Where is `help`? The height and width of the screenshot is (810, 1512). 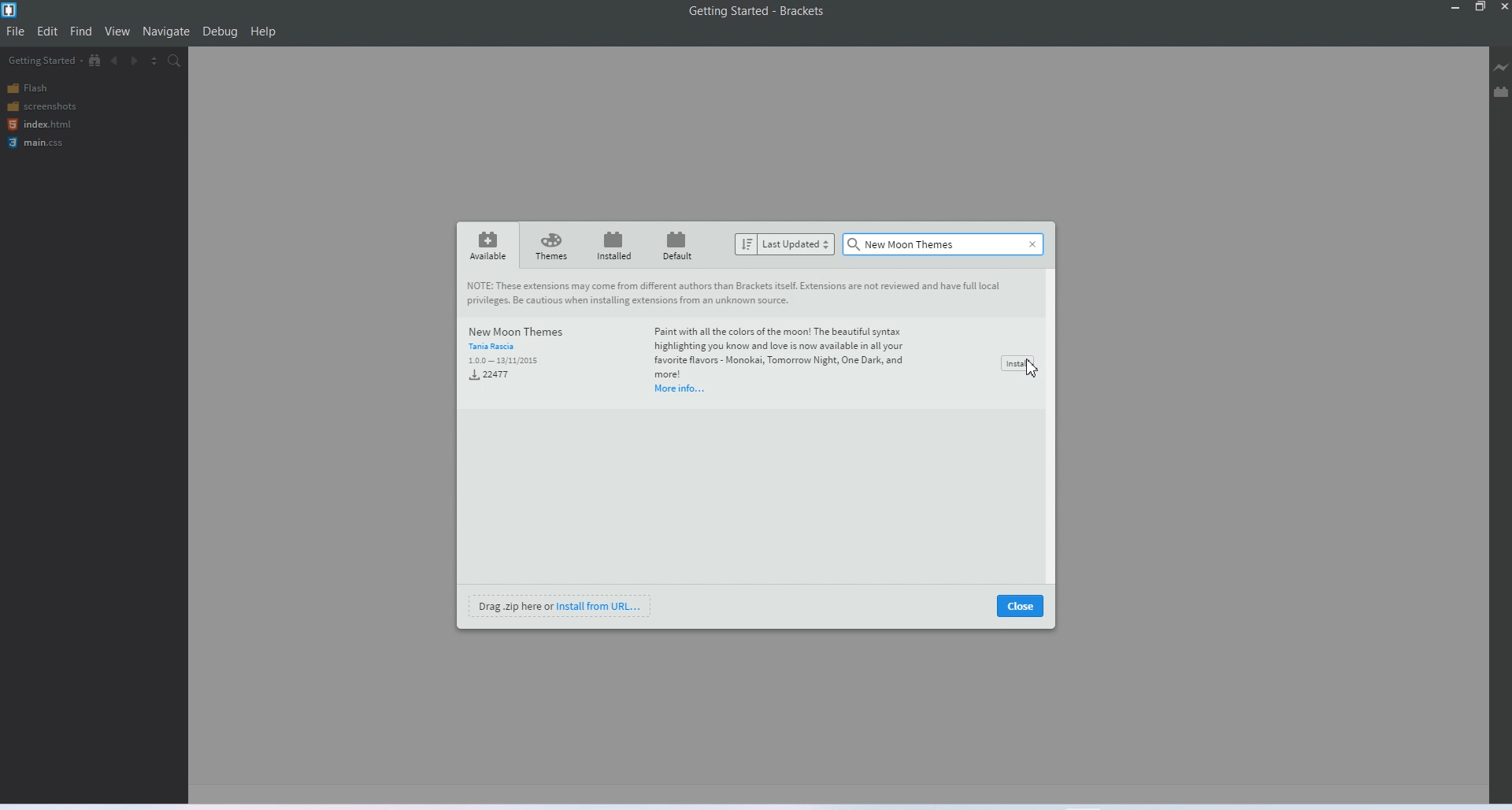
help is located at coordinates (264, 32).